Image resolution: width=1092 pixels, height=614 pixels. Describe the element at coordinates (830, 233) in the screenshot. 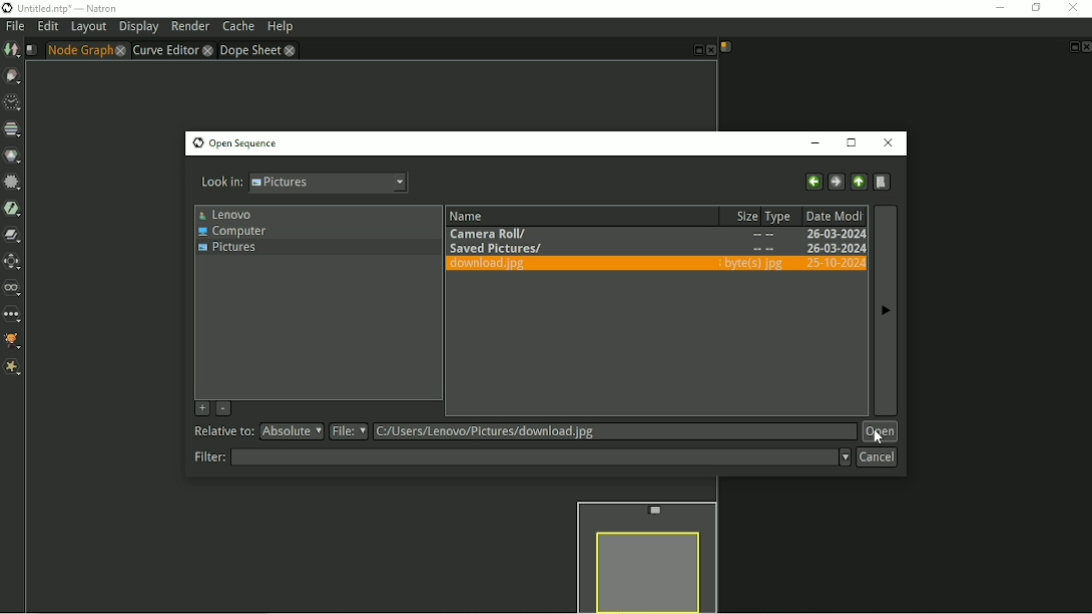

I see `26-03-2024` at that location.